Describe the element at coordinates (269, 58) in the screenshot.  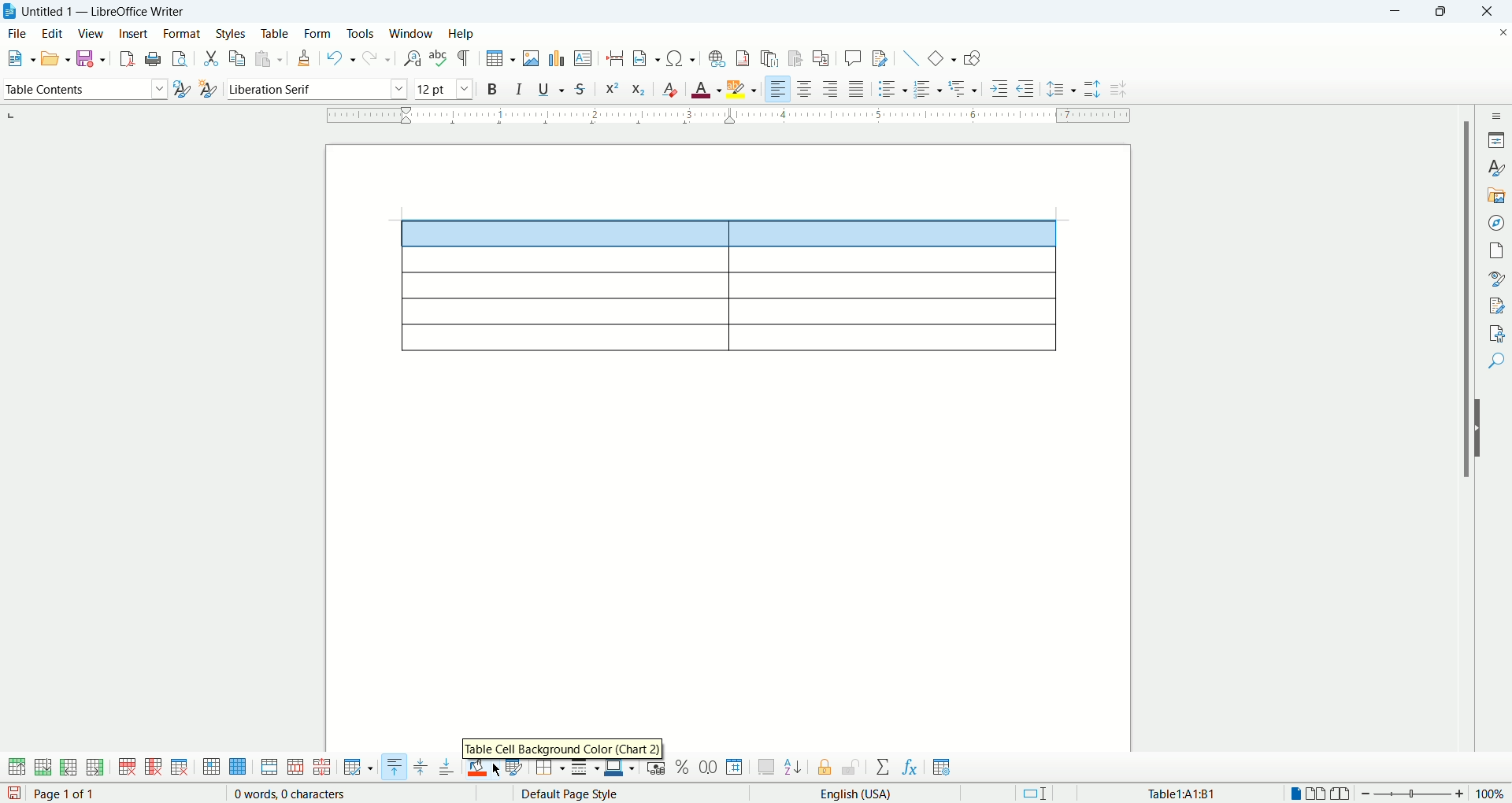
I see `paste` at that location.